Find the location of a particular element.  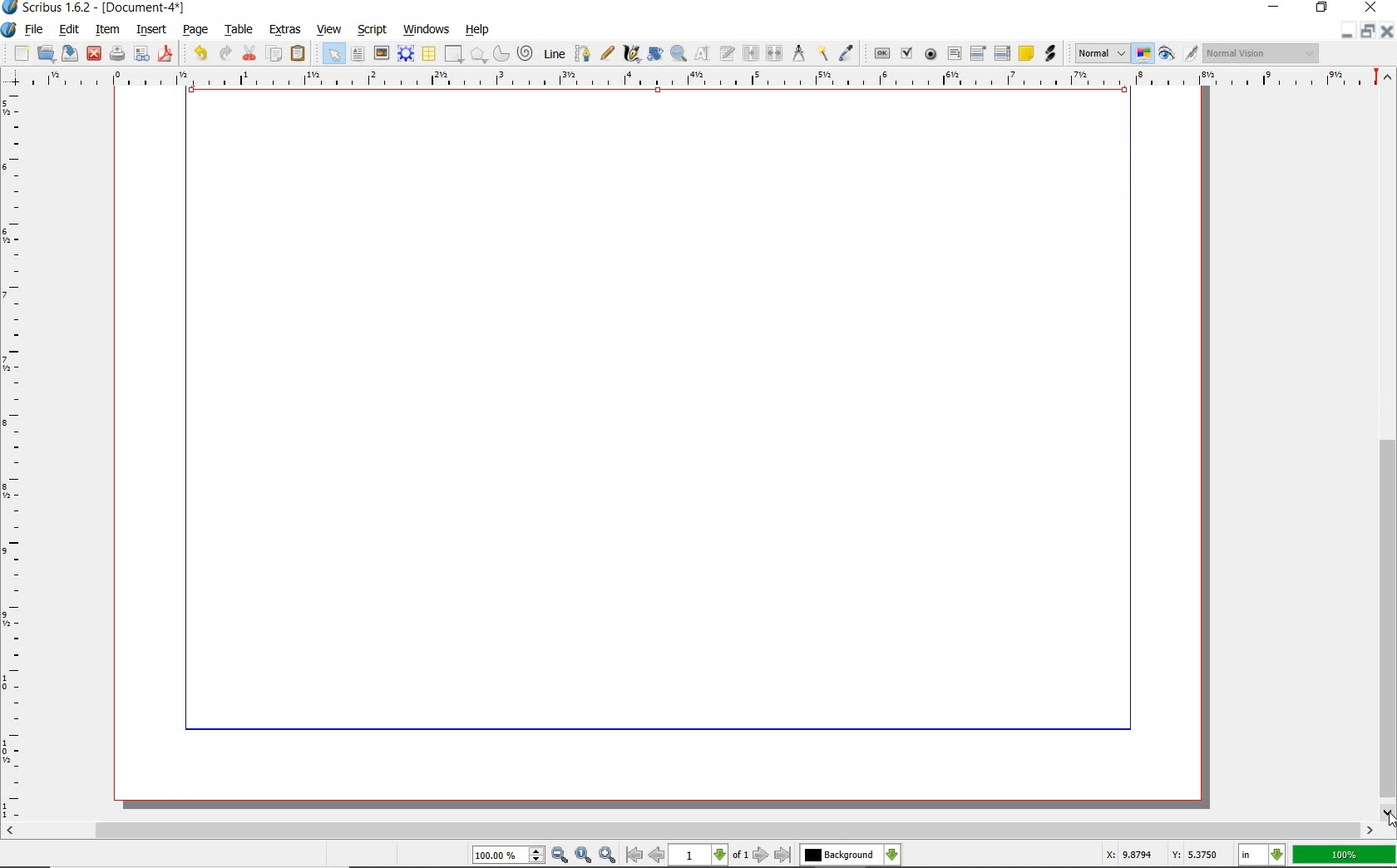

select is located at coordinates (332, 52).